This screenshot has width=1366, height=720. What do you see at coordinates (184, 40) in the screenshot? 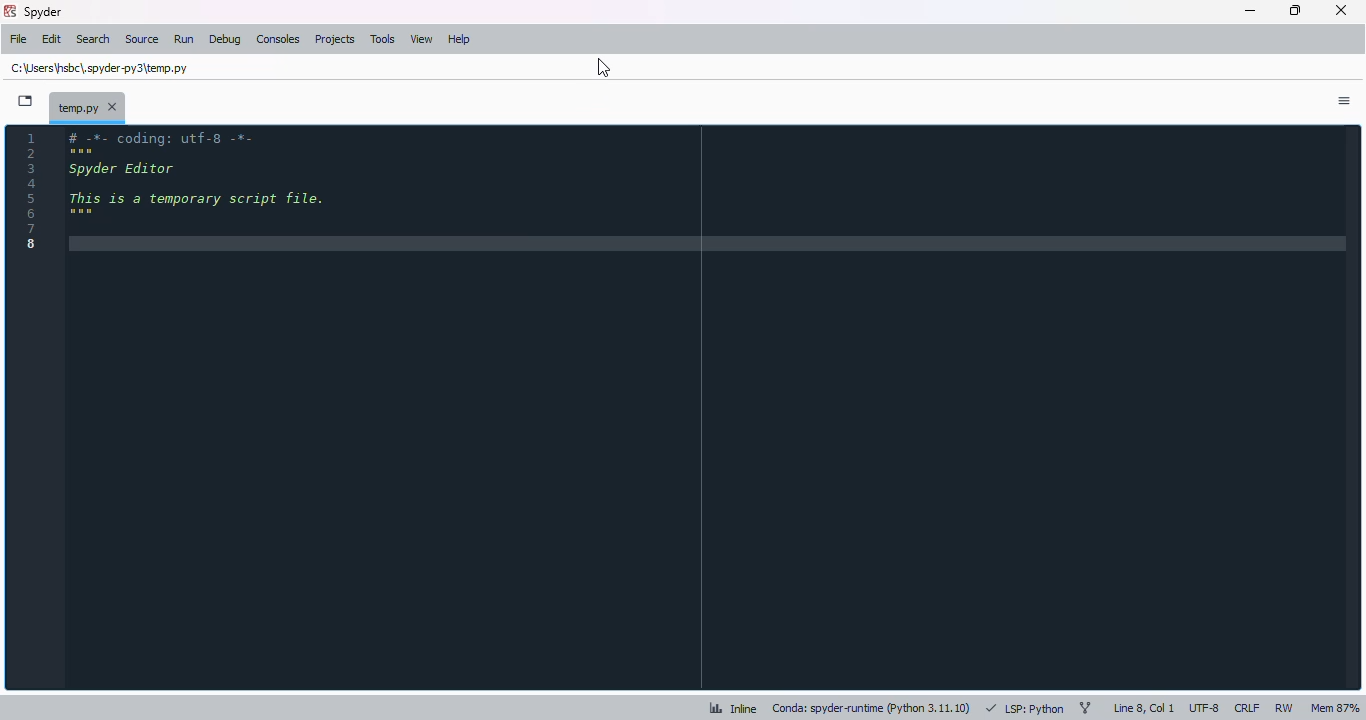
I see `run` at bounding box center [184, 40].